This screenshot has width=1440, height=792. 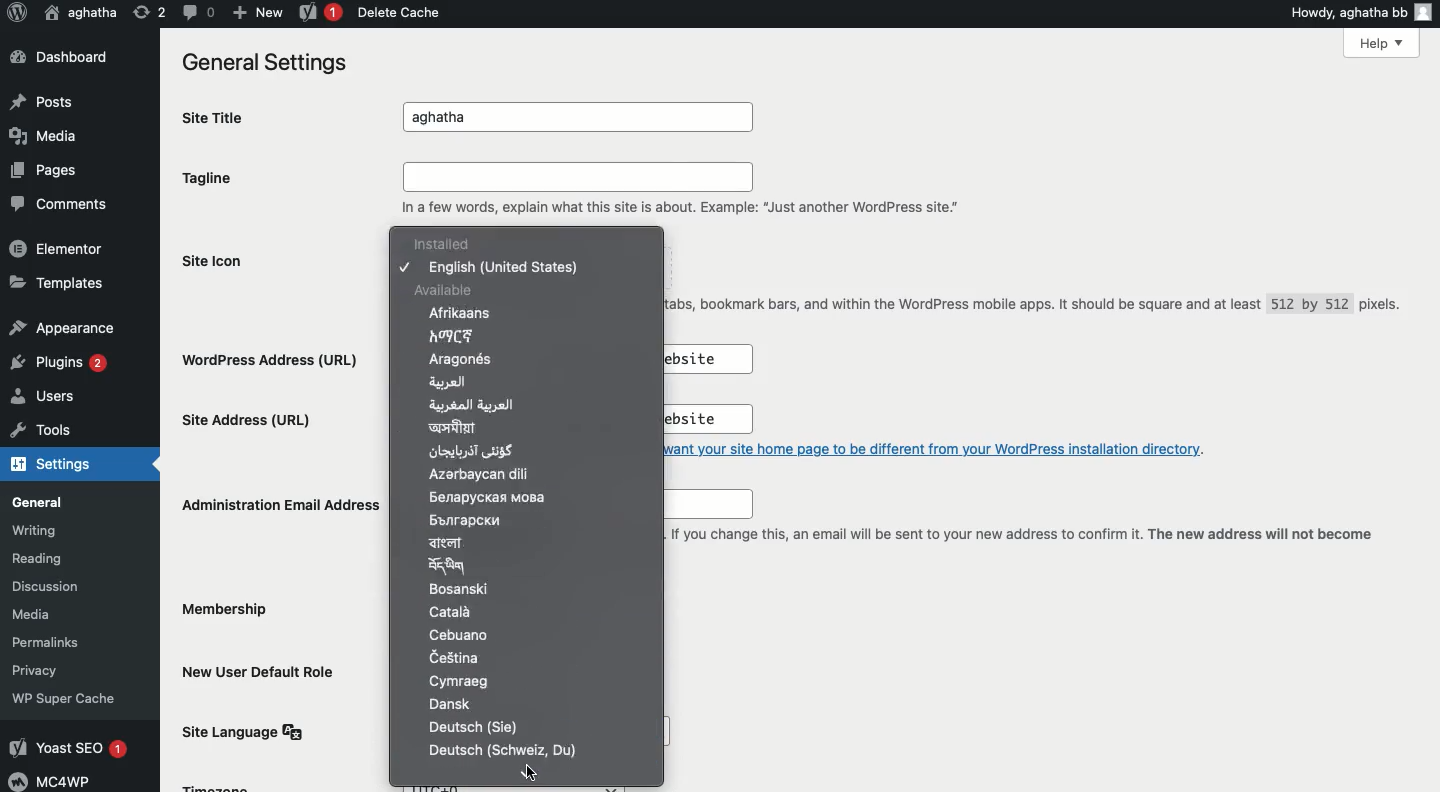 What do you see at coordinates (57, 248) in the screenshot?
I see `Elementor` at bounding box center [57, 248].